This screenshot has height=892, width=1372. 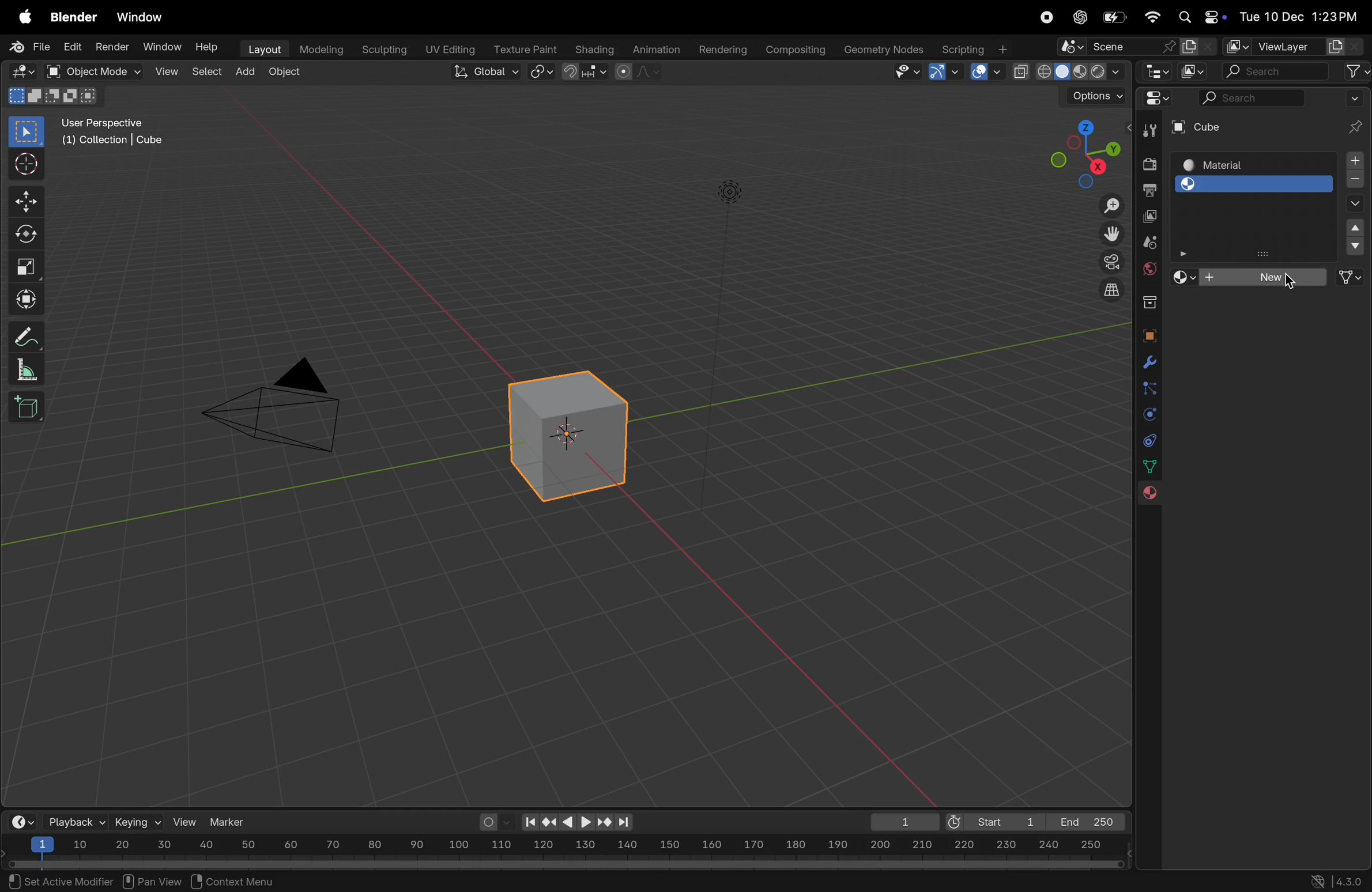 What do you see at coordinates (24, 165) in the screenshot?
I see `cursor` at bounding box center [24, 165].